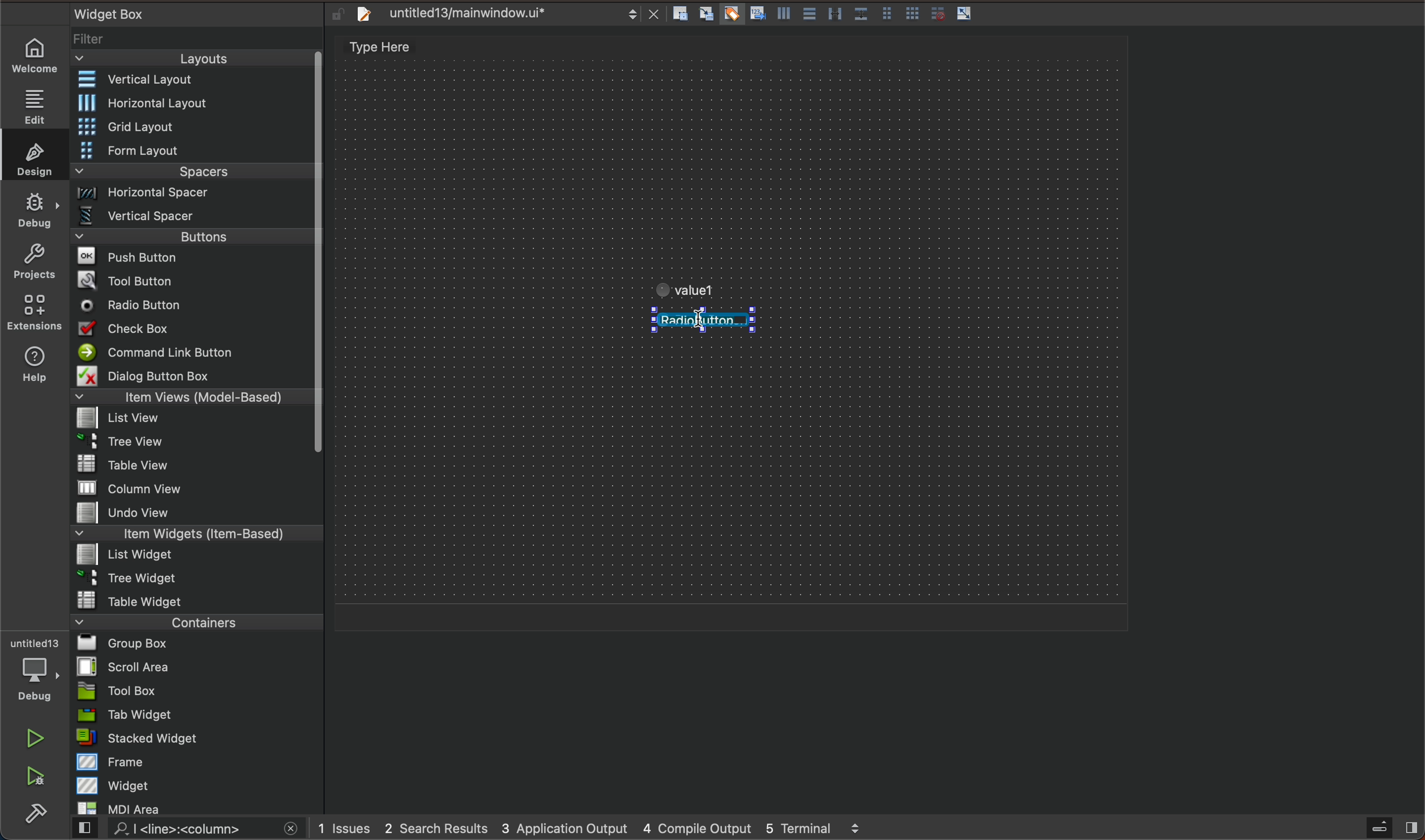 This screenshot has height=840, width=1425. I want to click on extensions, so click(33, 312).